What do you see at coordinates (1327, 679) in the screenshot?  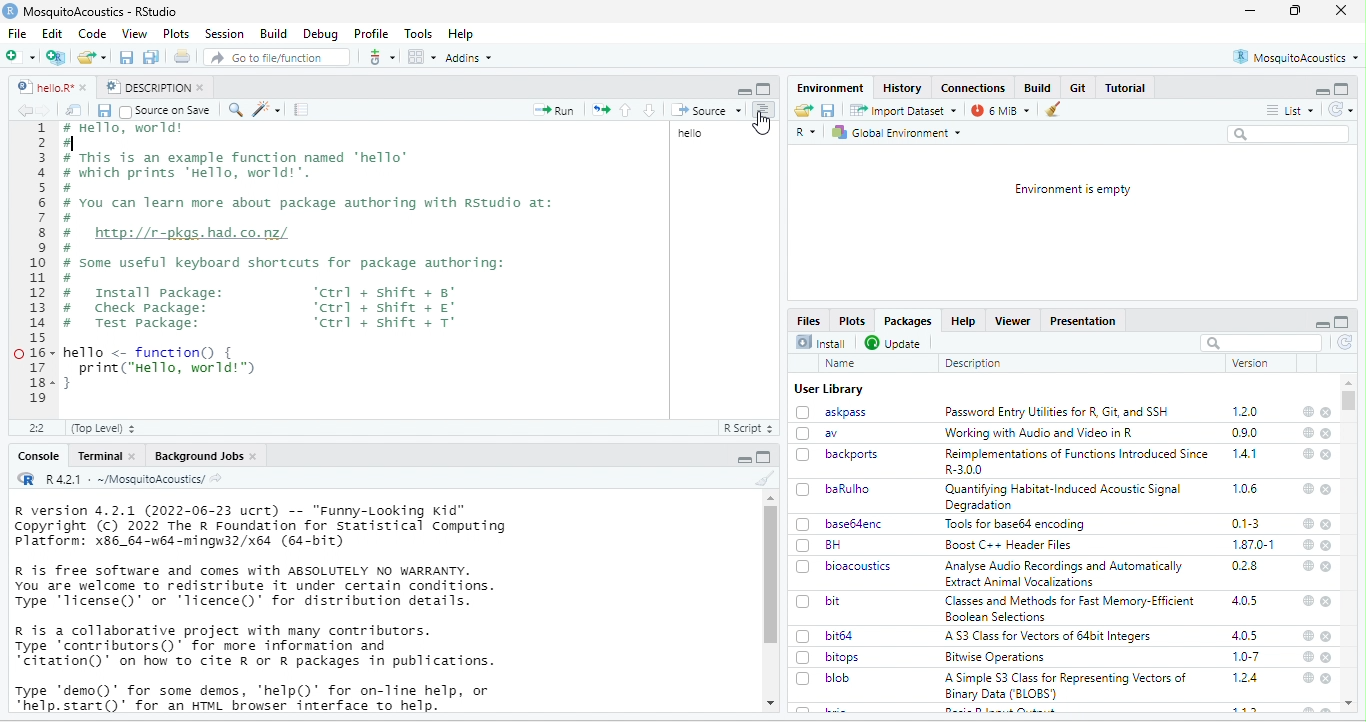 I see `close` at bounding box center [1327, 679].